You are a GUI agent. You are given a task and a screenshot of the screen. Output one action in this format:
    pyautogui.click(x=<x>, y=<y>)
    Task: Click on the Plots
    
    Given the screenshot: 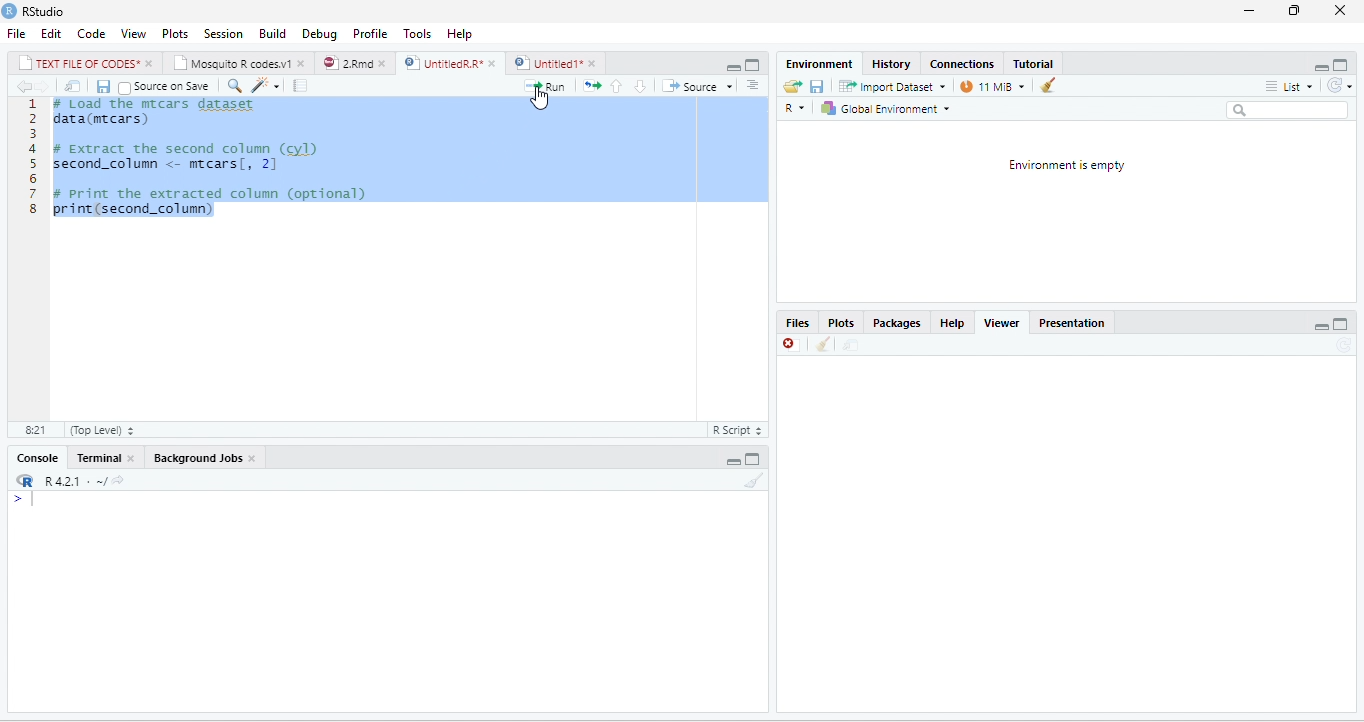 What is the action you would take?
    pyautogui.click(x=845, y=323)
    